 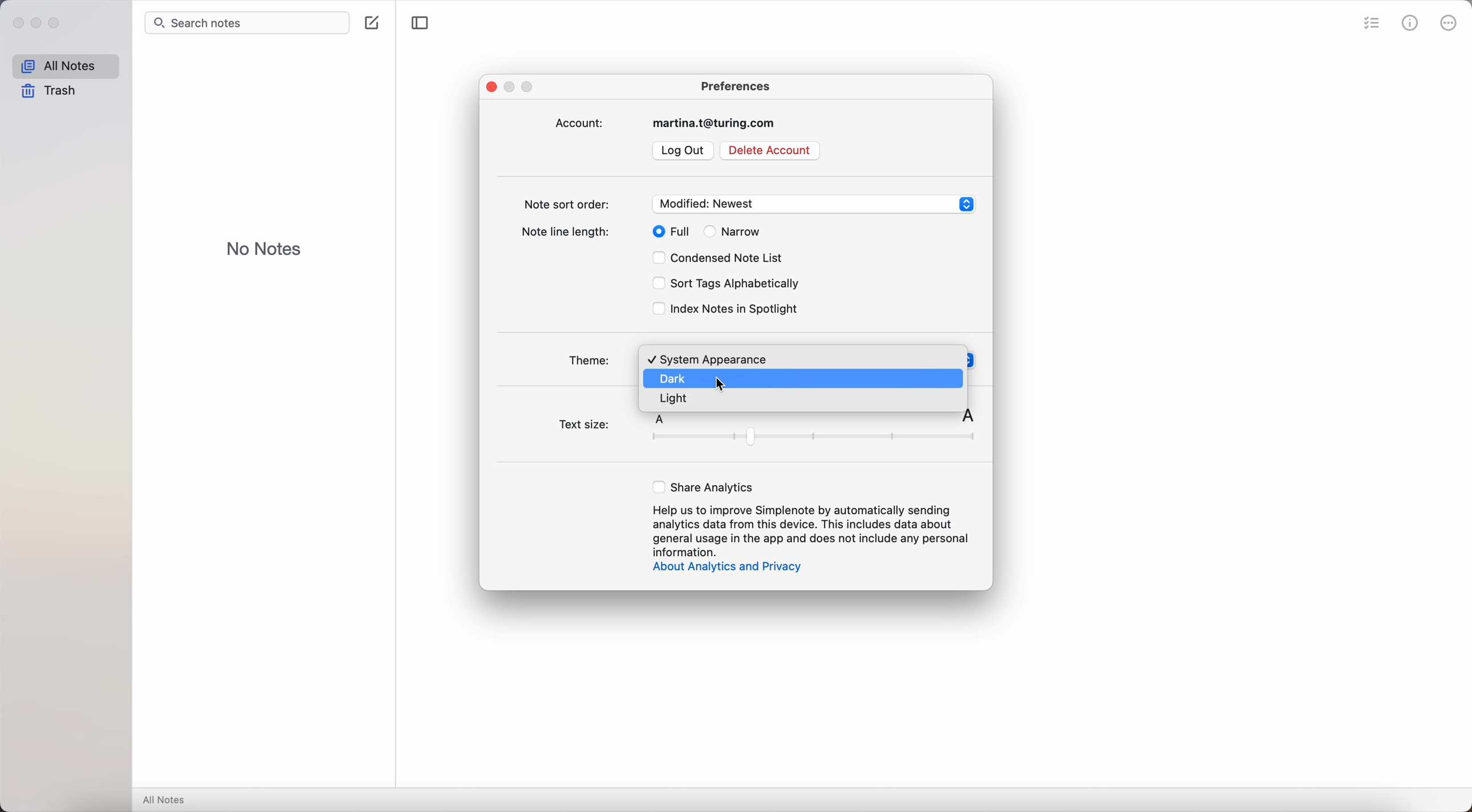 What do you see at coordinates (569, 234) in the screenshot?
I see `note line length` at bounding box center [569, 234].